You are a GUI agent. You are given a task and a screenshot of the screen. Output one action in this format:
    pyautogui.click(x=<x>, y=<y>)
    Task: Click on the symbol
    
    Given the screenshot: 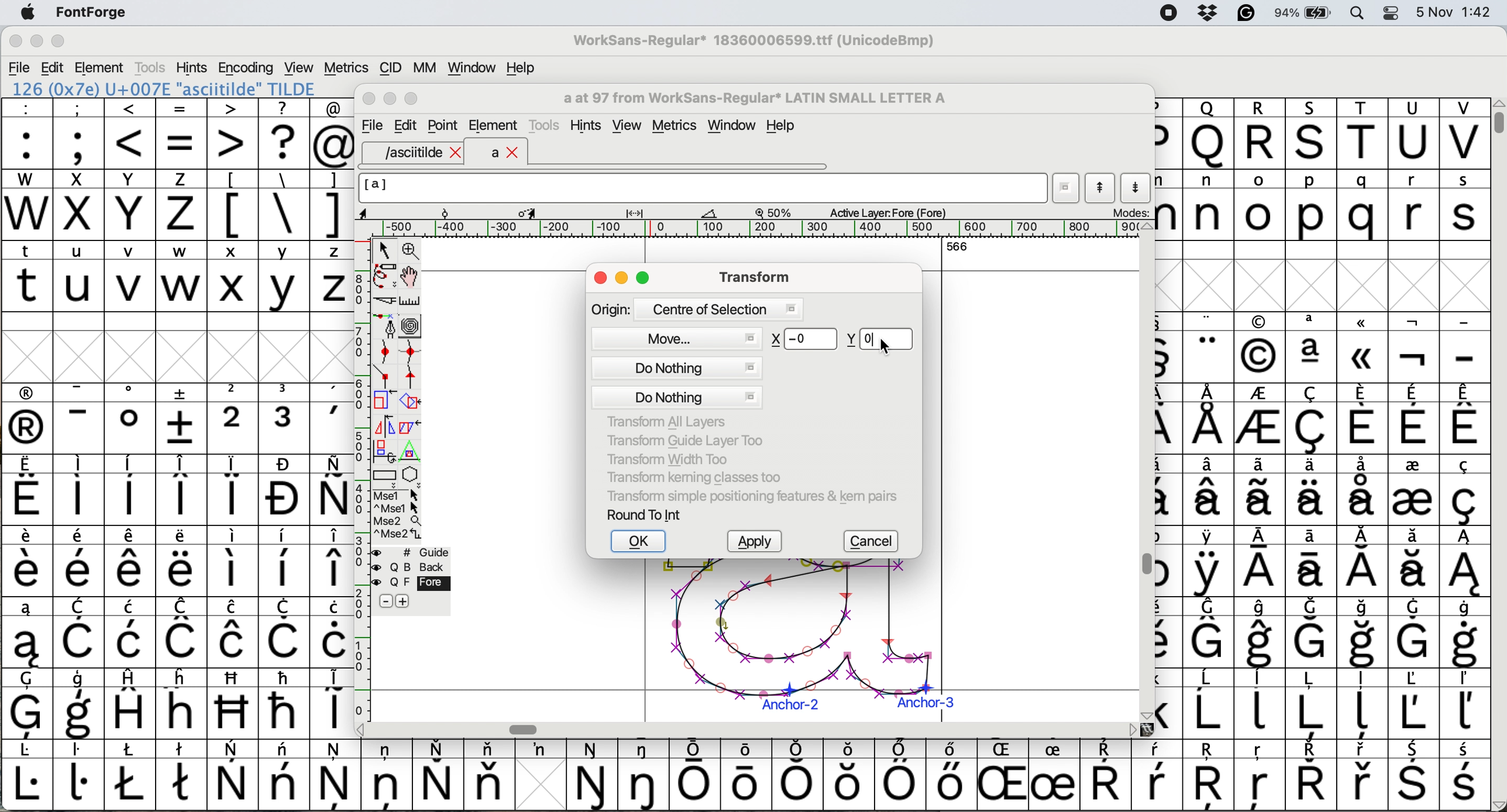 What is the action you would take?
    pyautogui.click(x=1260, y=563)
    